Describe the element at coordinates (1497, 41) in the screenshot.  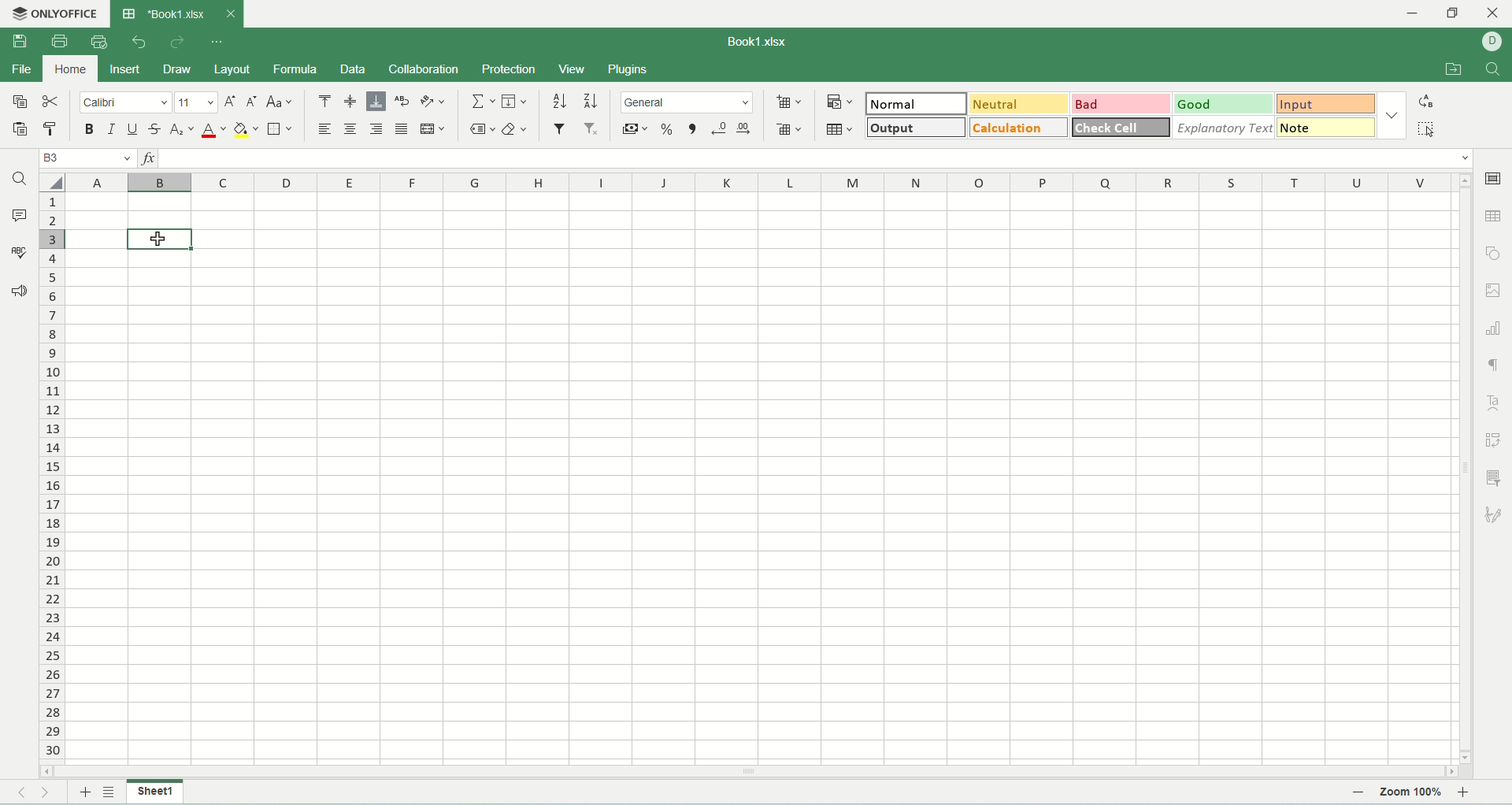
I see `username` at that location.